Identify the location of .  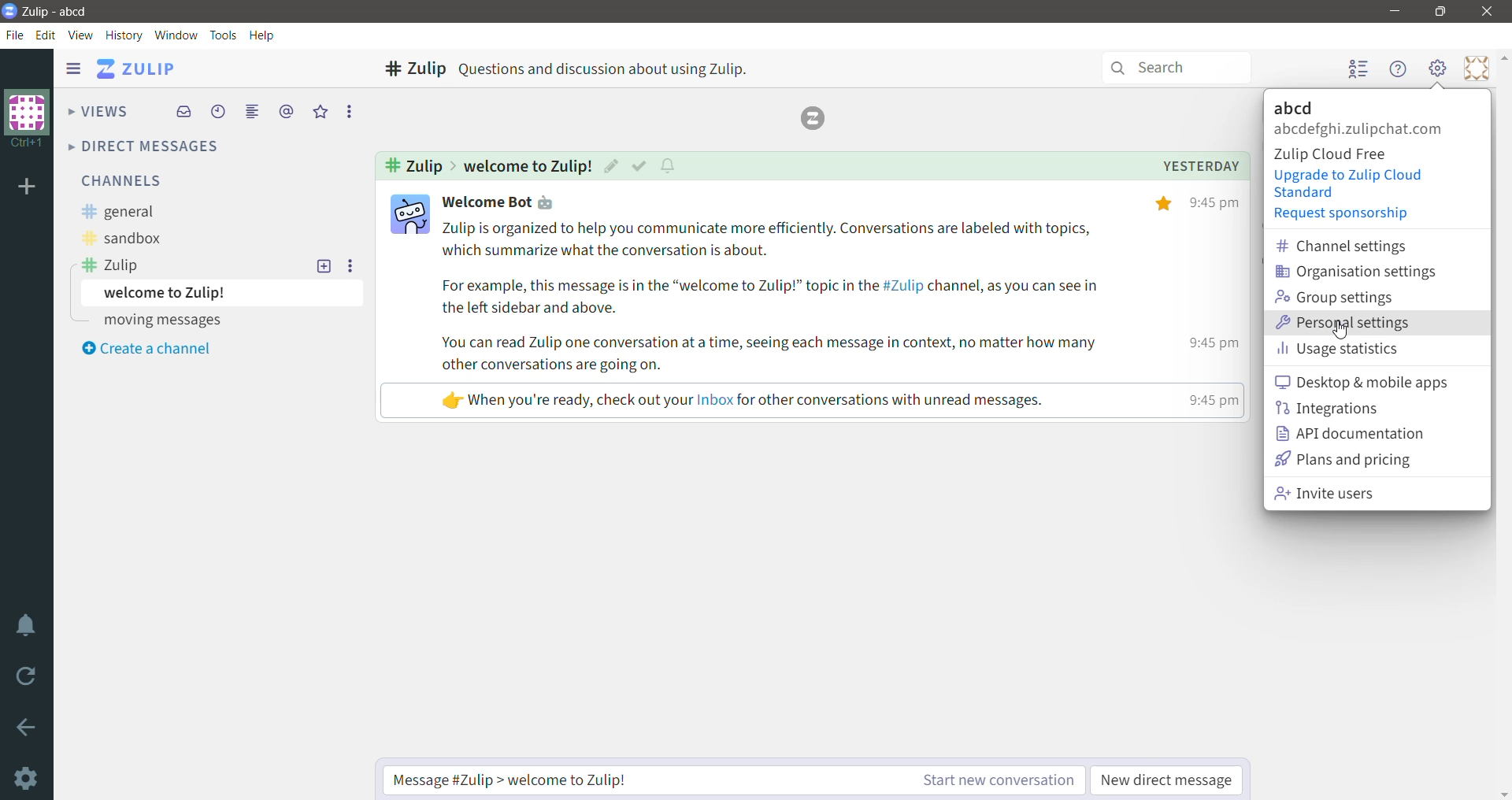
(1340, 213).